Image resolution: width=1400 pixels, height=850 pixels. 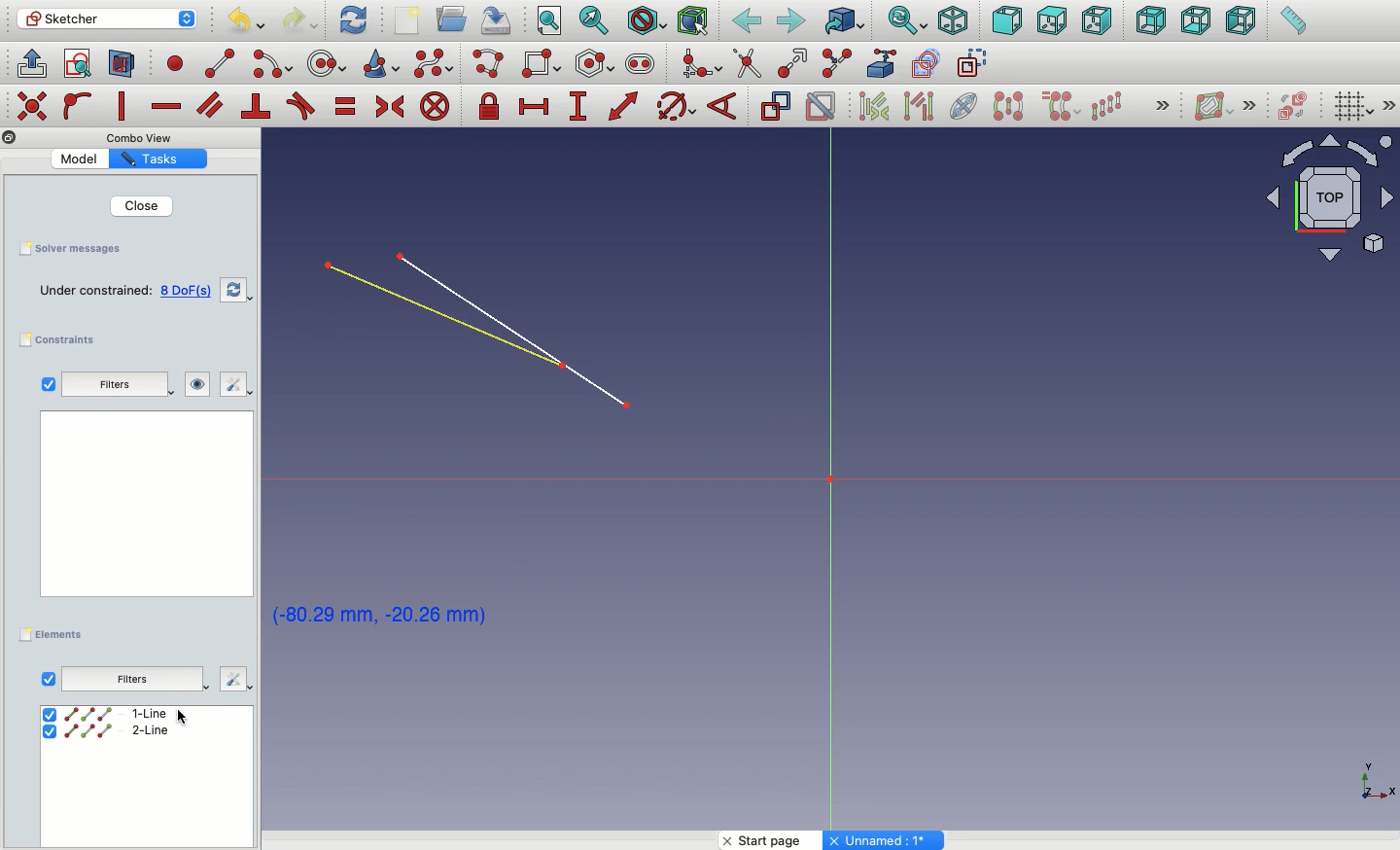 What do you see at coordinates (123, 290) in the screenshot?
I see `Empty sketch` at bounding box center [123, 290].